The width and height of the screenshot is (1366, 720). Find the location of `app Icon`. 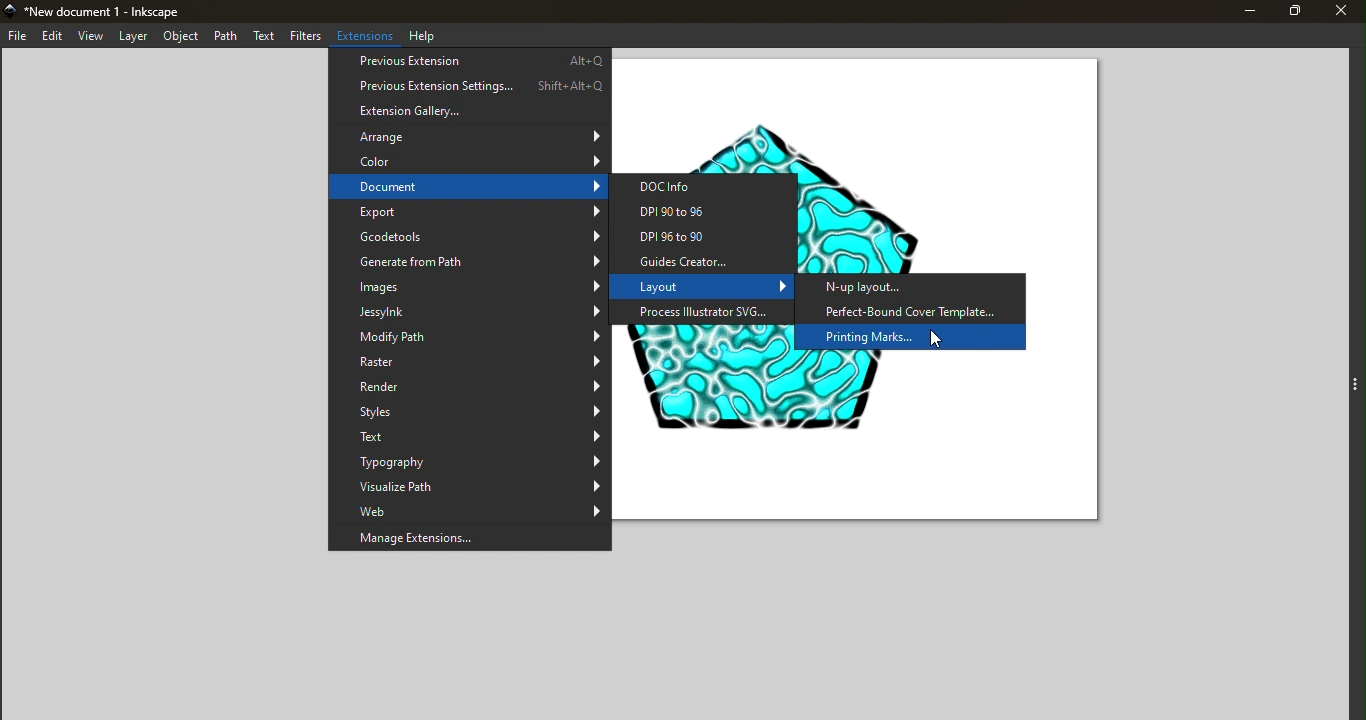

app Icon is located at coordinates (9, 10).